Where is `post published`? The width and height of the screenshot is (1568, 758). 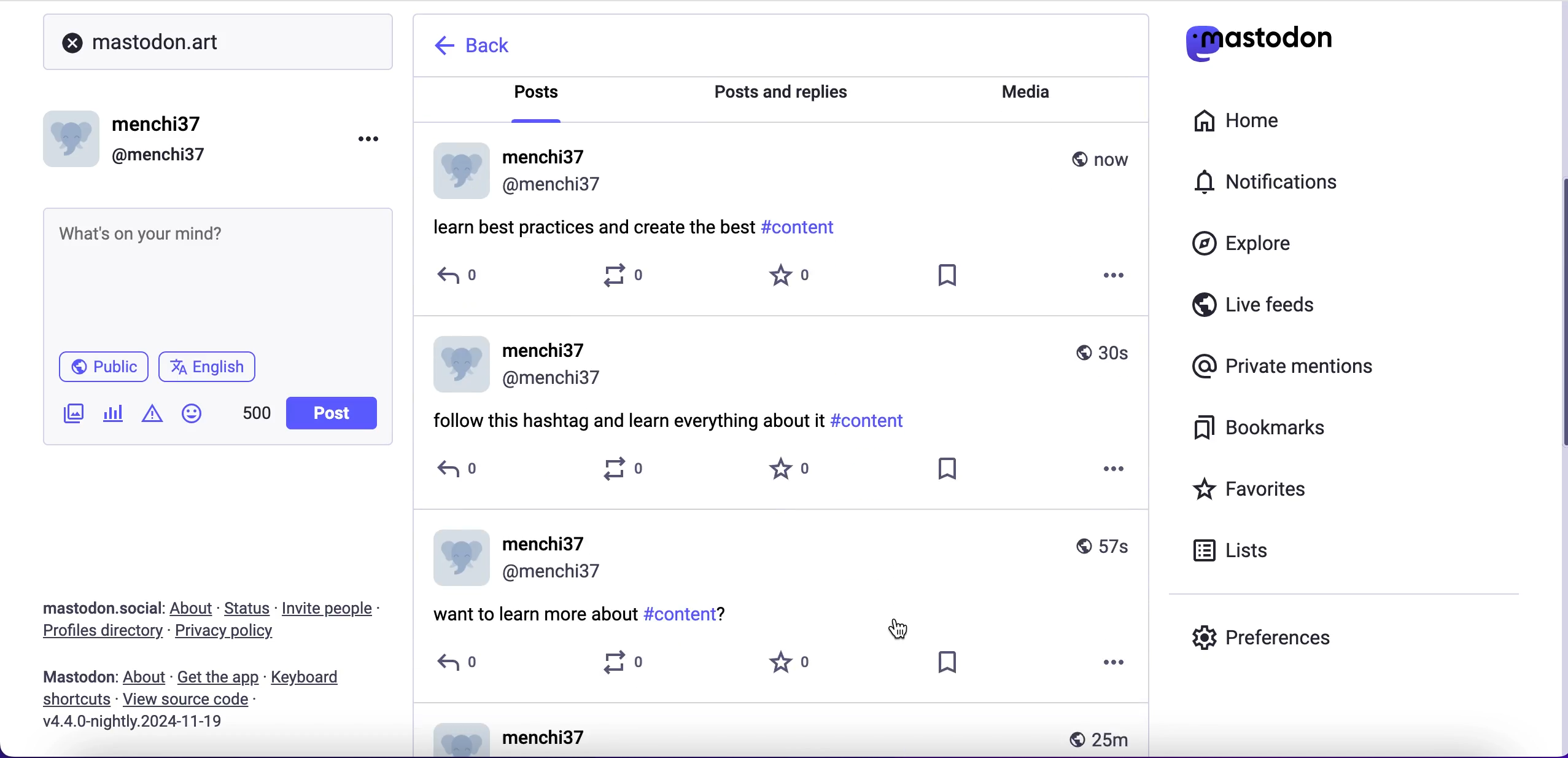 post published is located at coordinates (76, 674).